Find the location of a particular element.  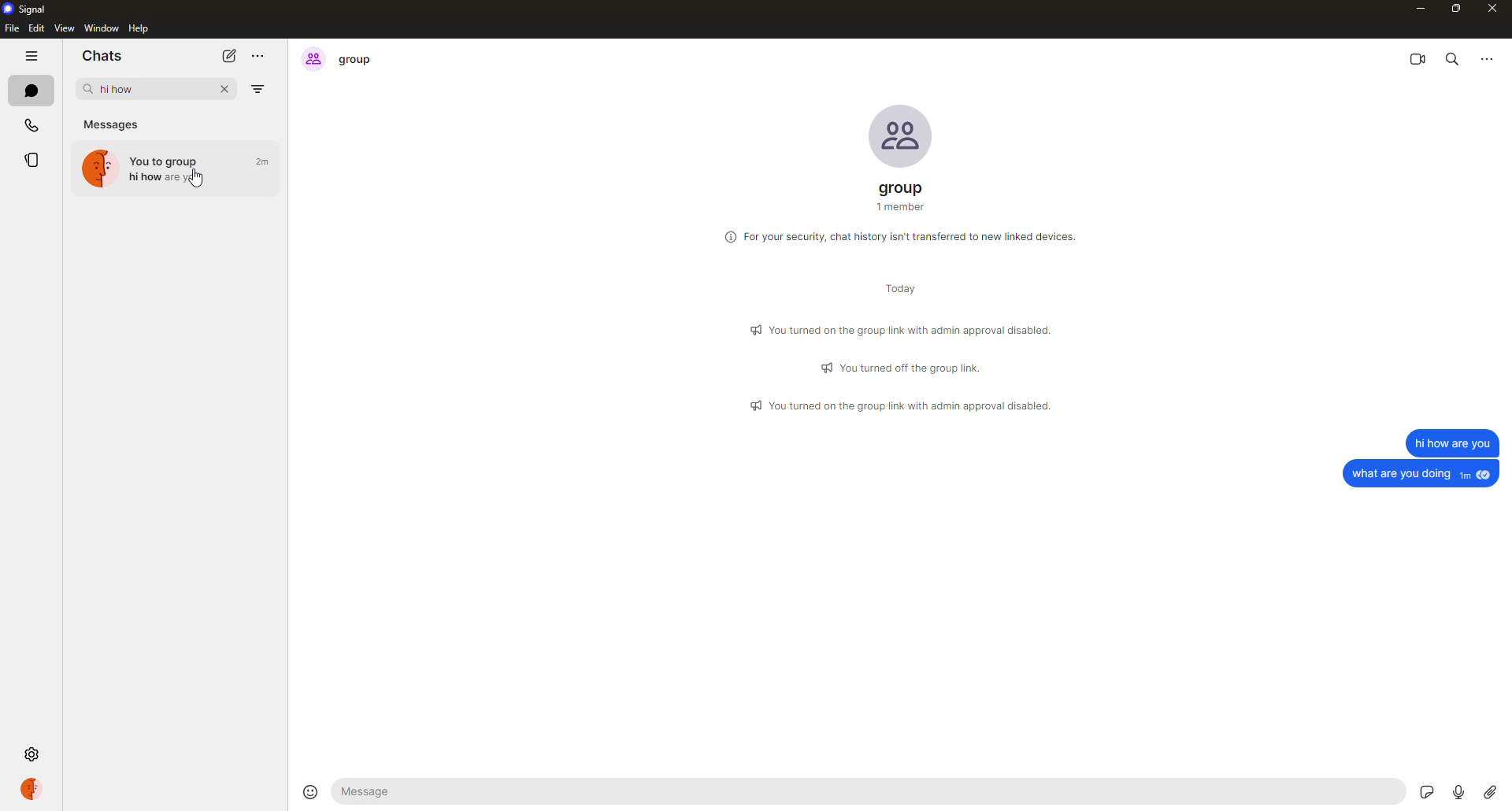

info is located at coordinates (905, 367).